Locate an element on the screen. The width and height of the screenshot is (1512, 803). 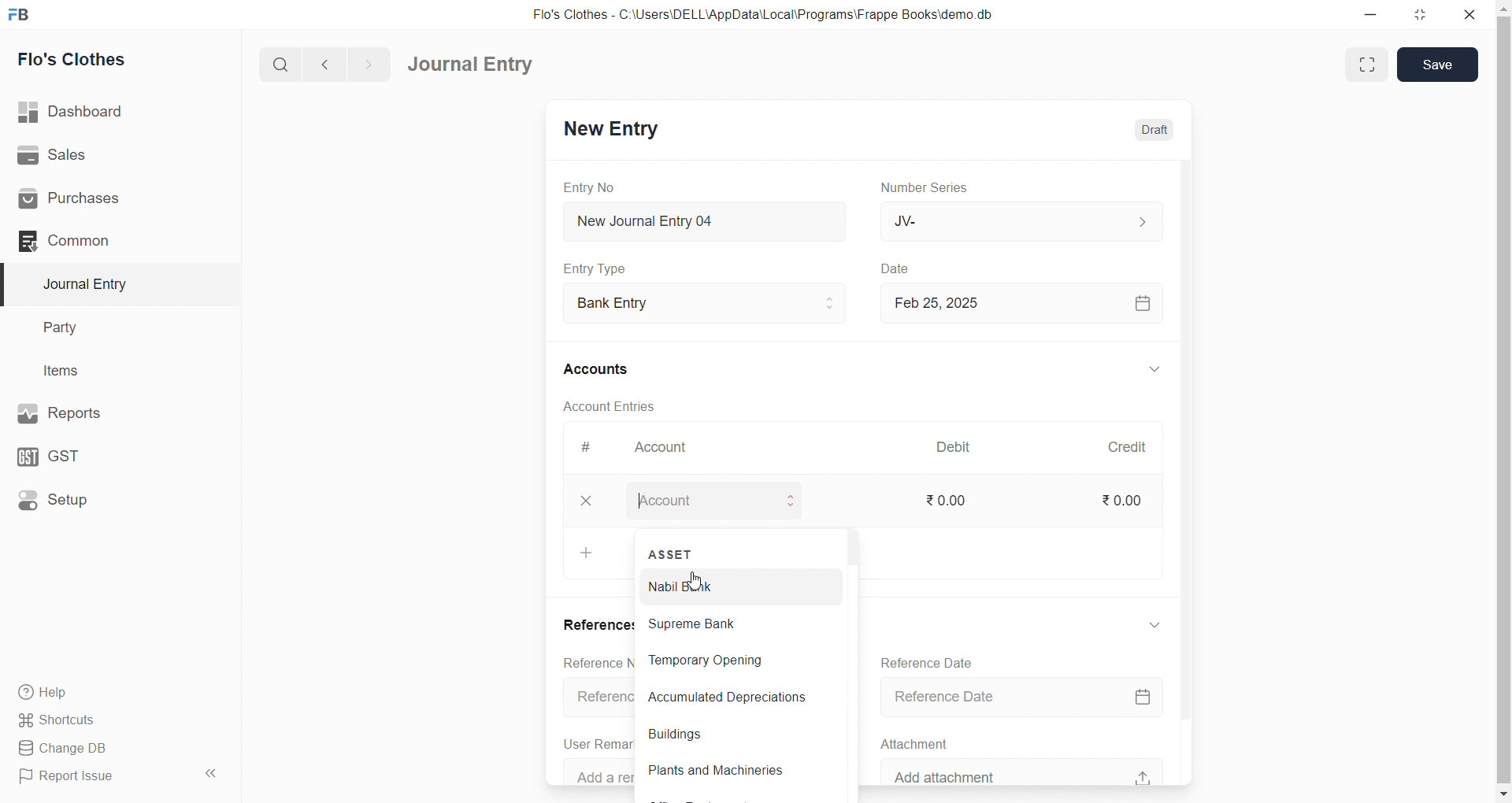
Report Issue is located at coordinates (98, 776).